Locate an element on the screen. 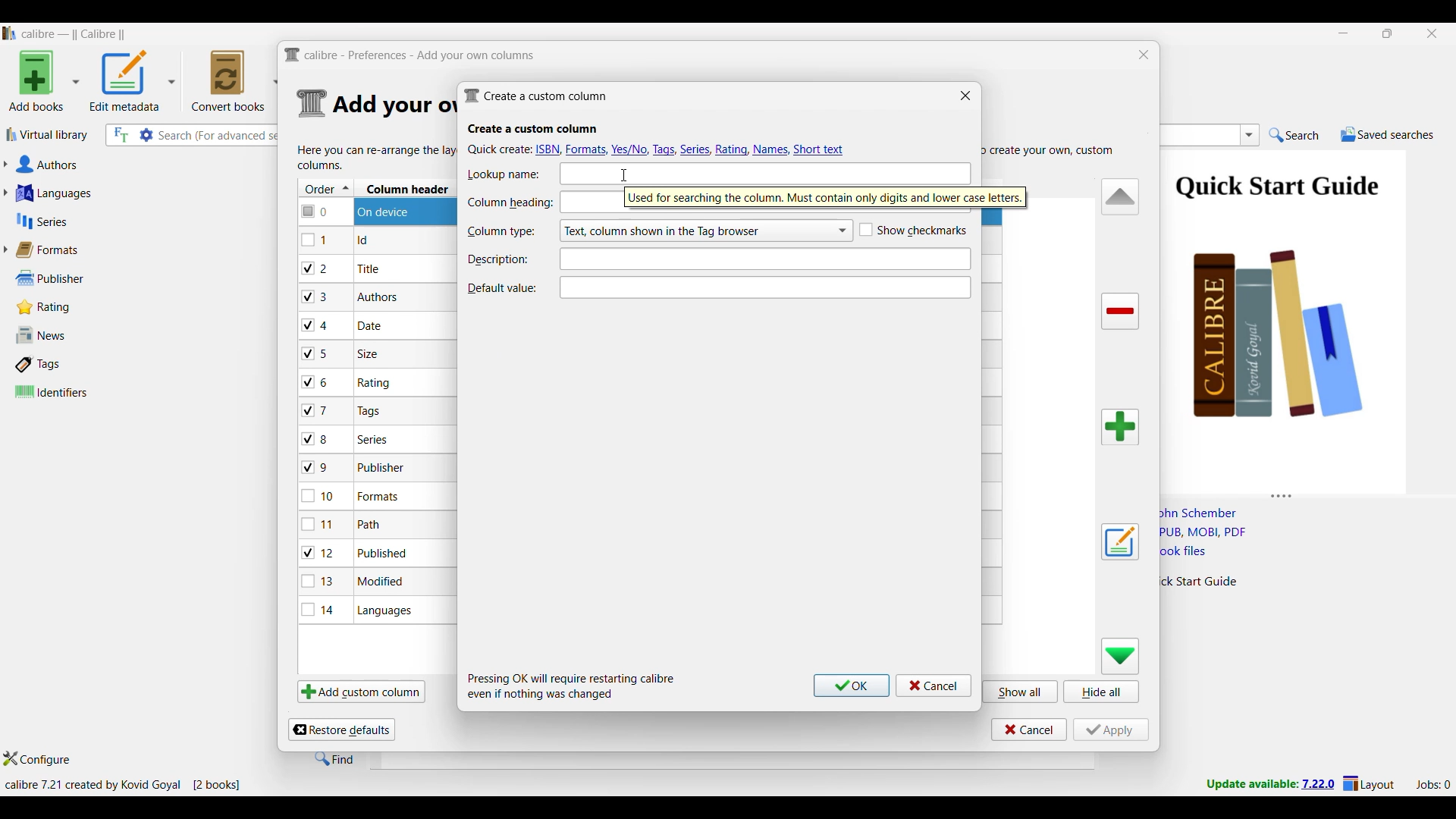 The image size is (1456, 819). Apply is located at coordinates (1111, 730).